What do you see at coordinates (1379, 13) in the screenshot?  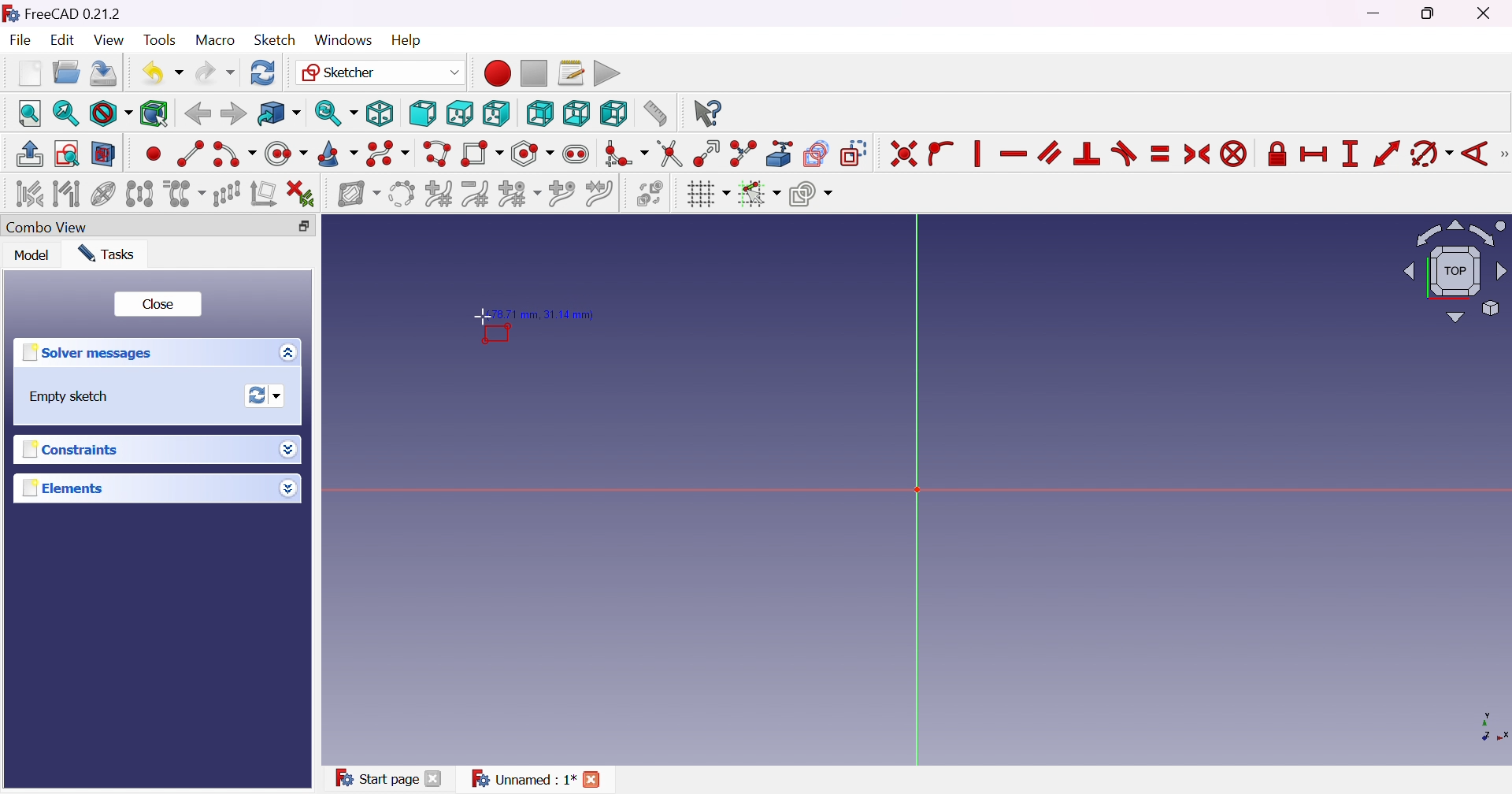 I see `Minimize` at bounding box center [1379, 13].